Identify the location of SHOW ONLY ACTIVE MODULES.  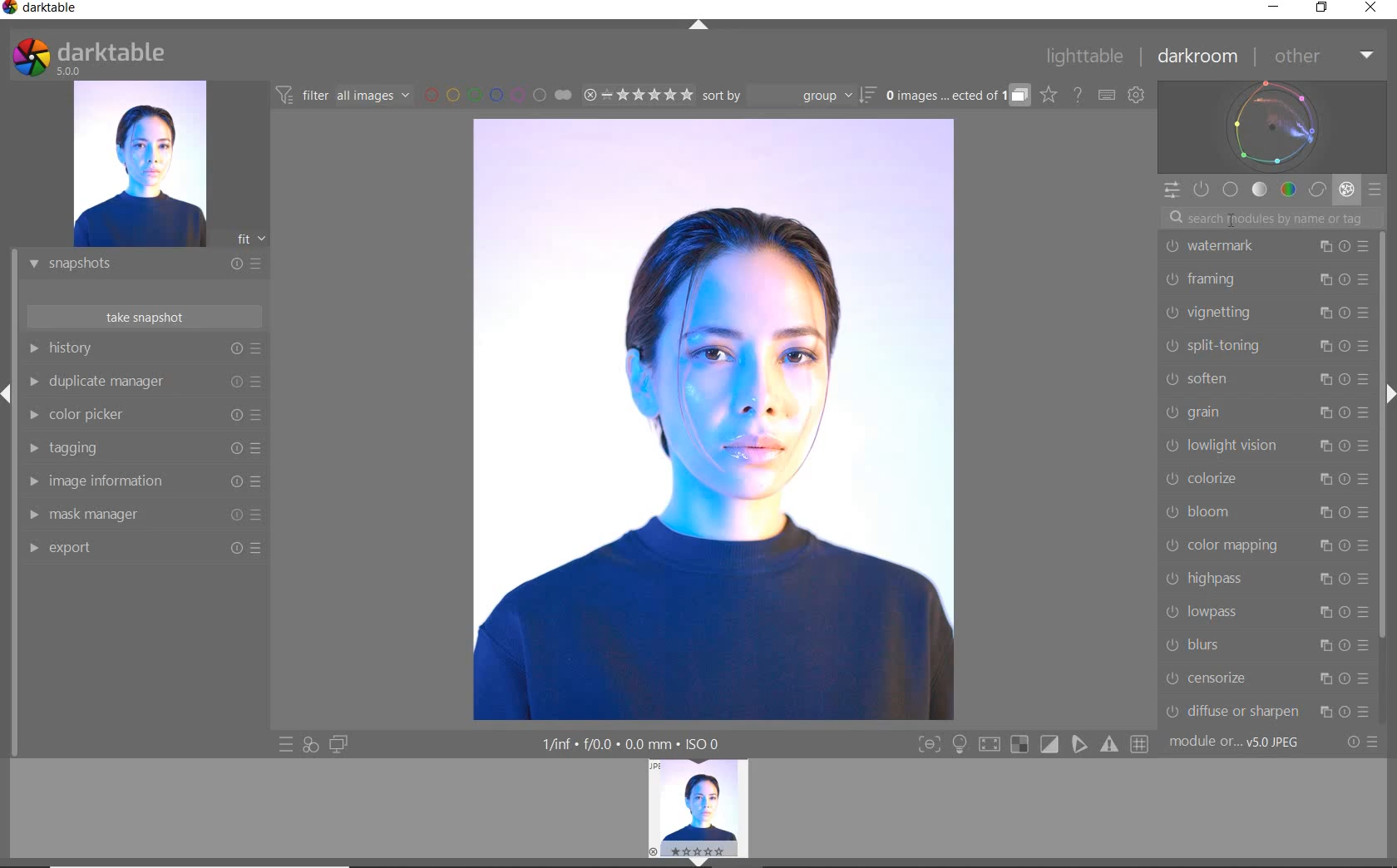
(1202, 190).